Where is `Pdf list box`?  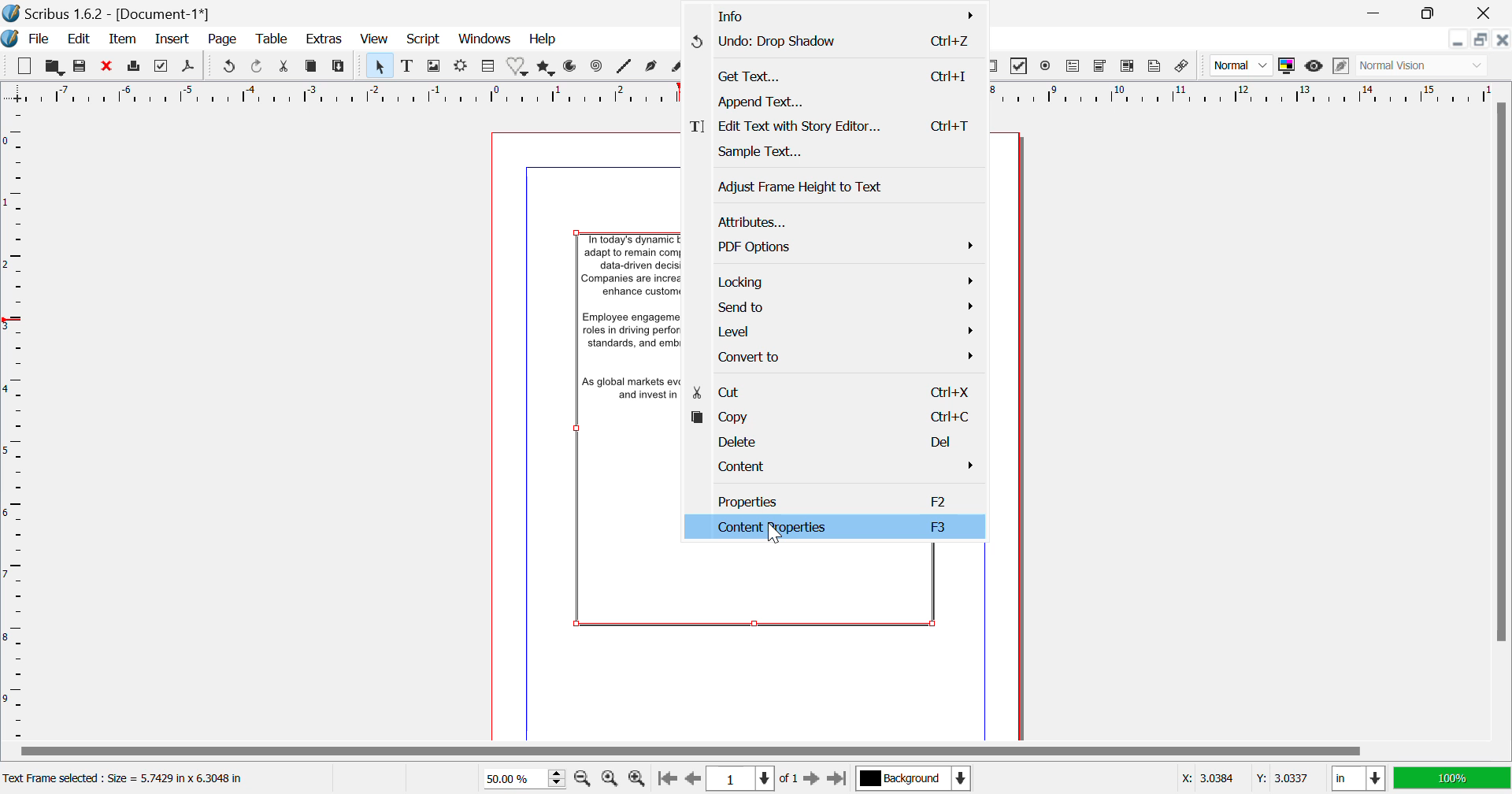 Pdf list box is located at coordinates (1129, 67).